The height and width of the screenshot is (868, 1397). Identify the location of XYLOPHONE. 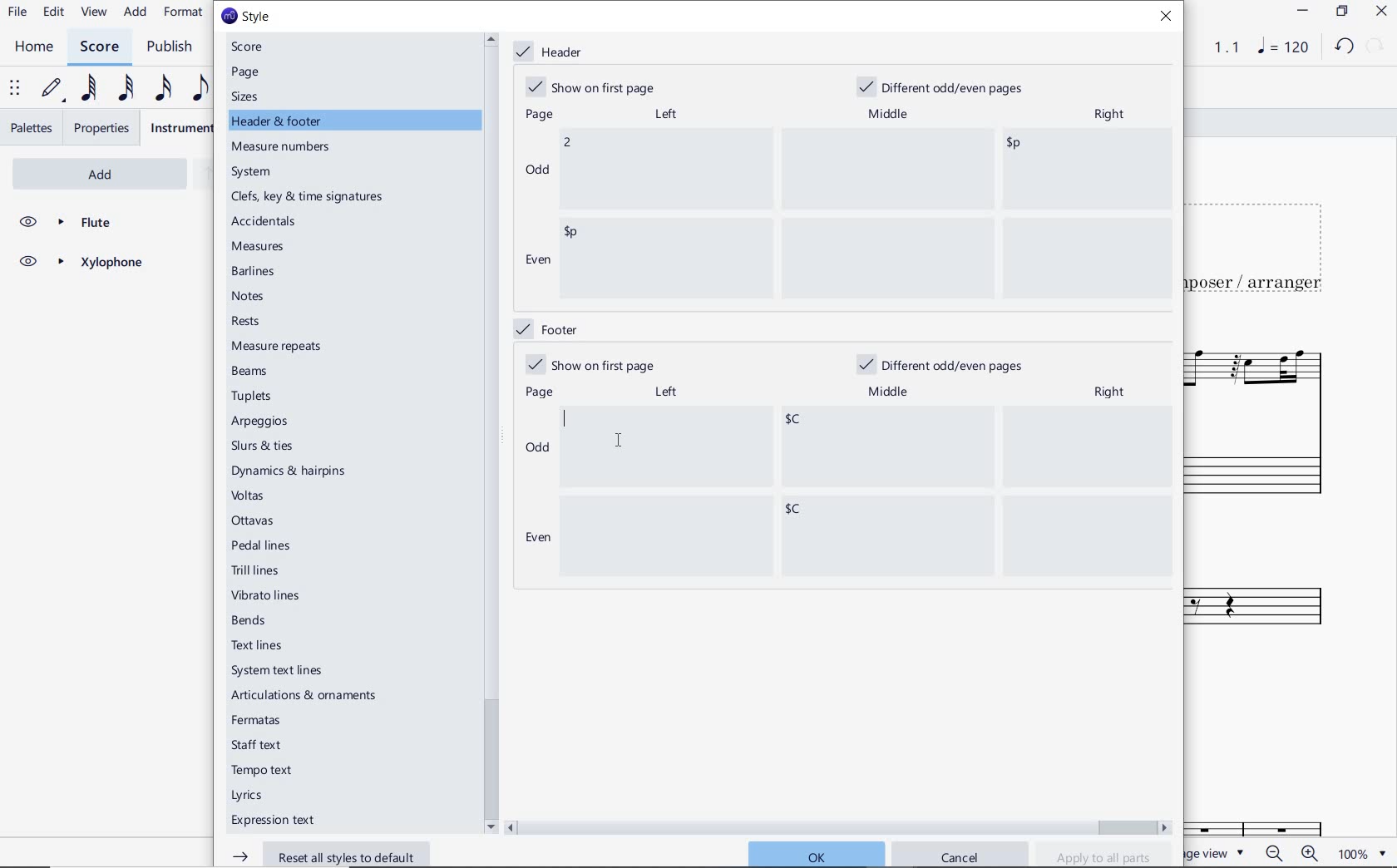
(80, 264).